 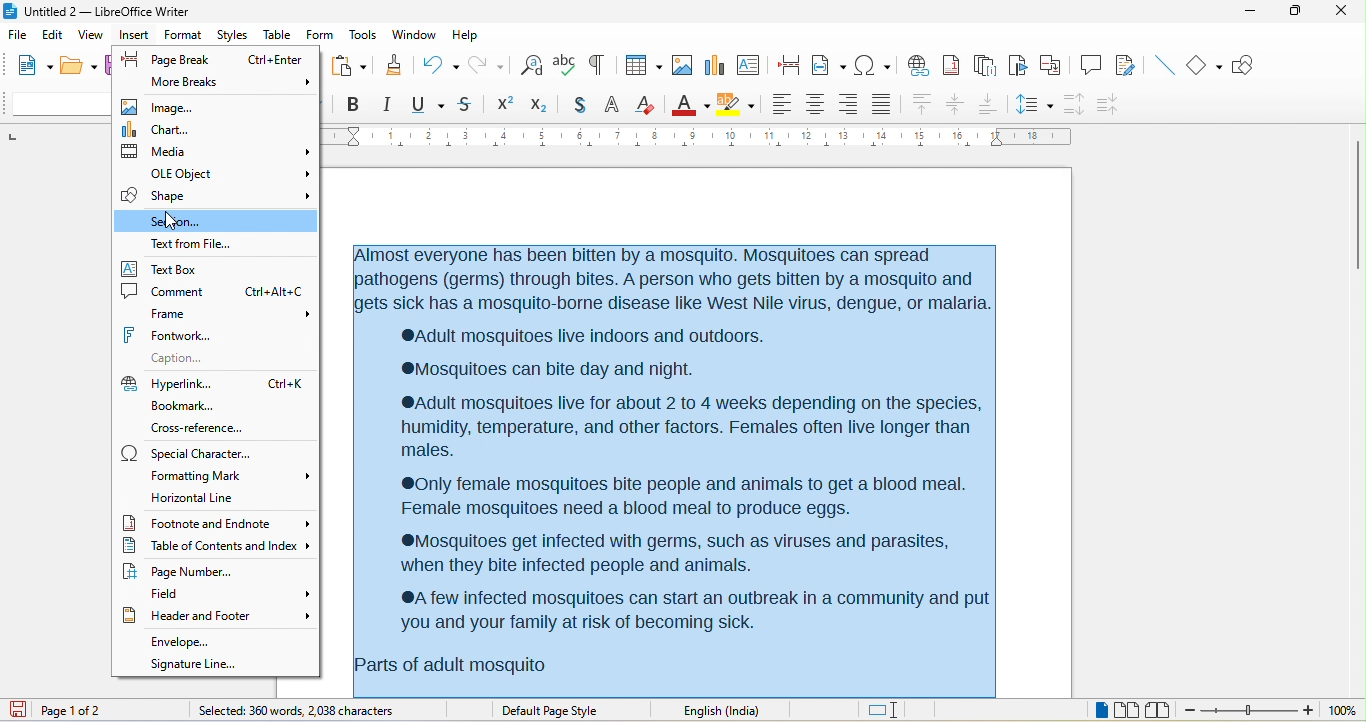 I want to click on header and footer, so click(x=217, y=618).